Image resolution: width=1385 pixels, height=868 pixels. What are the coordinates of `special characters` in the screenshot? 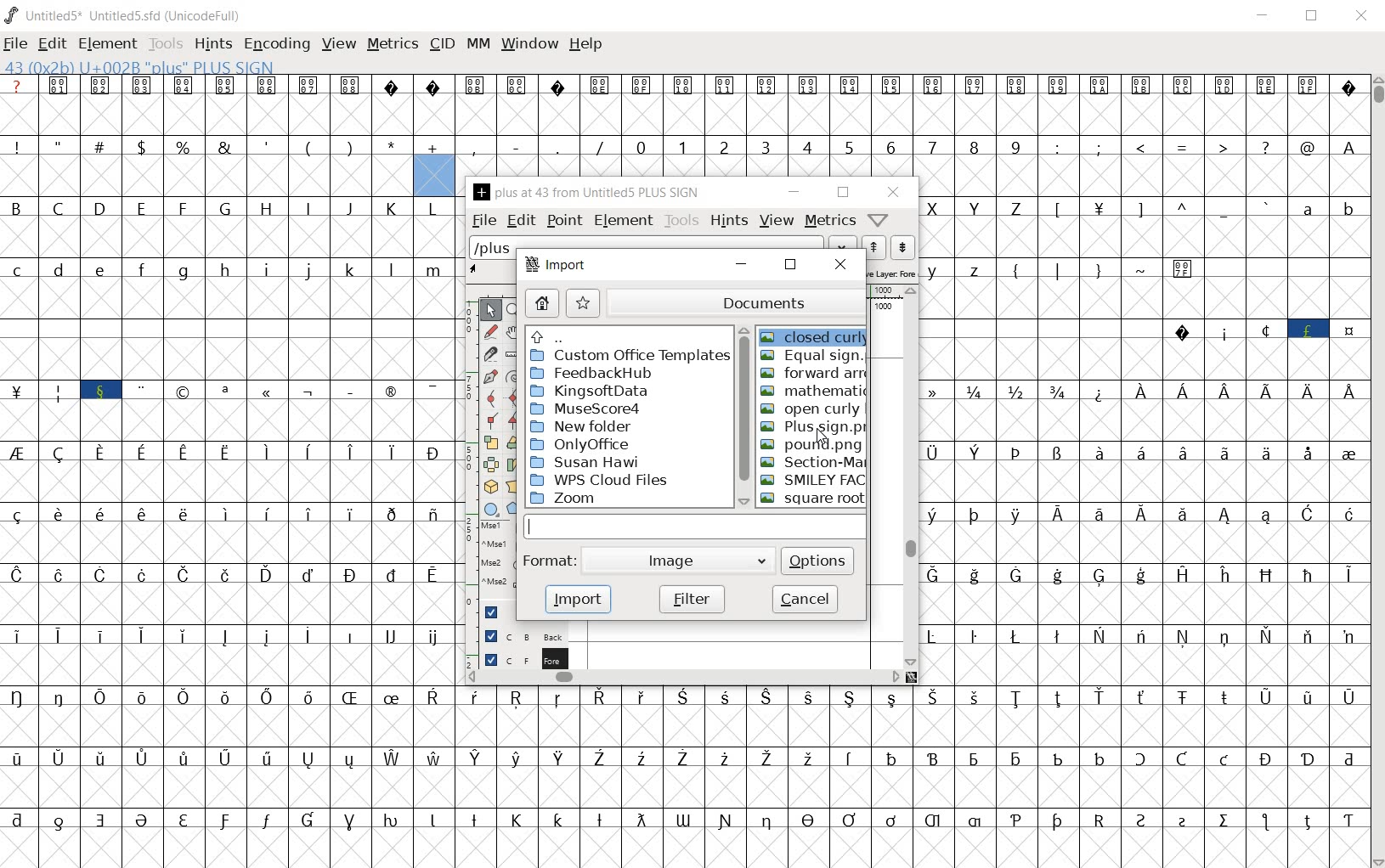 It's located at (1100, 288).